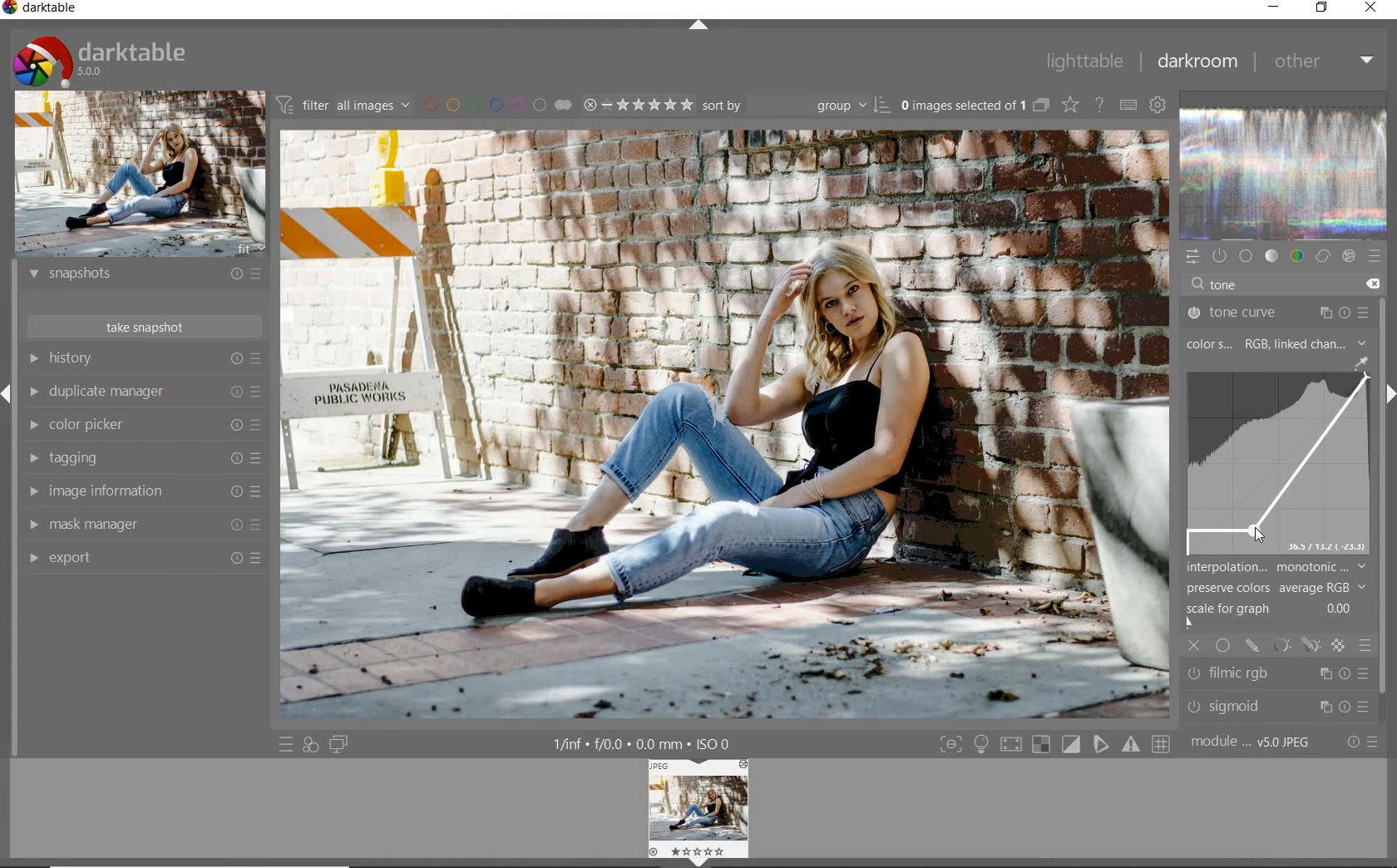  I want to click on display a second darkroom image below, so click(341, 743).